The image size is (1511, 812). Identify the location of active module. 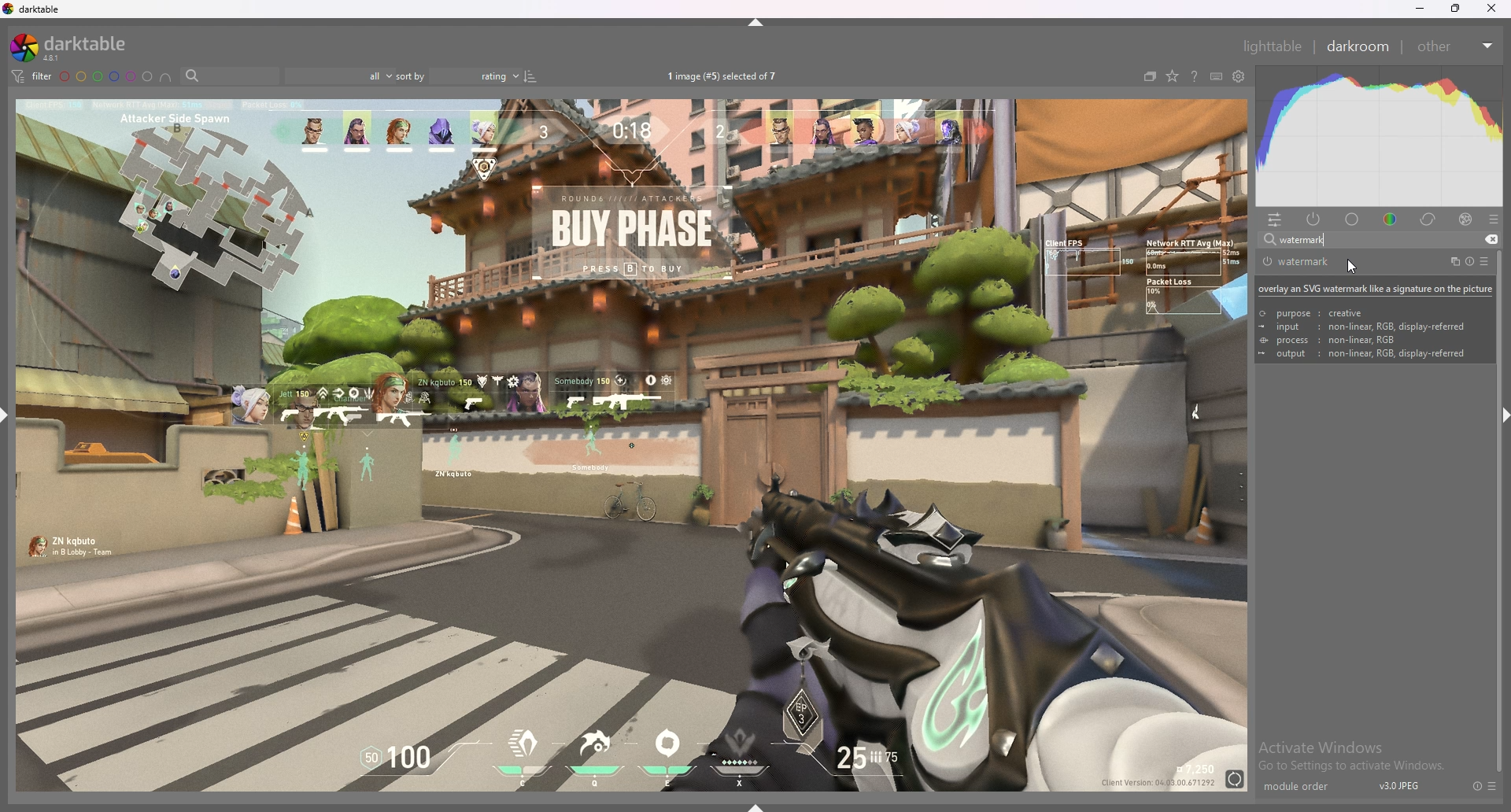
(1314, 219).